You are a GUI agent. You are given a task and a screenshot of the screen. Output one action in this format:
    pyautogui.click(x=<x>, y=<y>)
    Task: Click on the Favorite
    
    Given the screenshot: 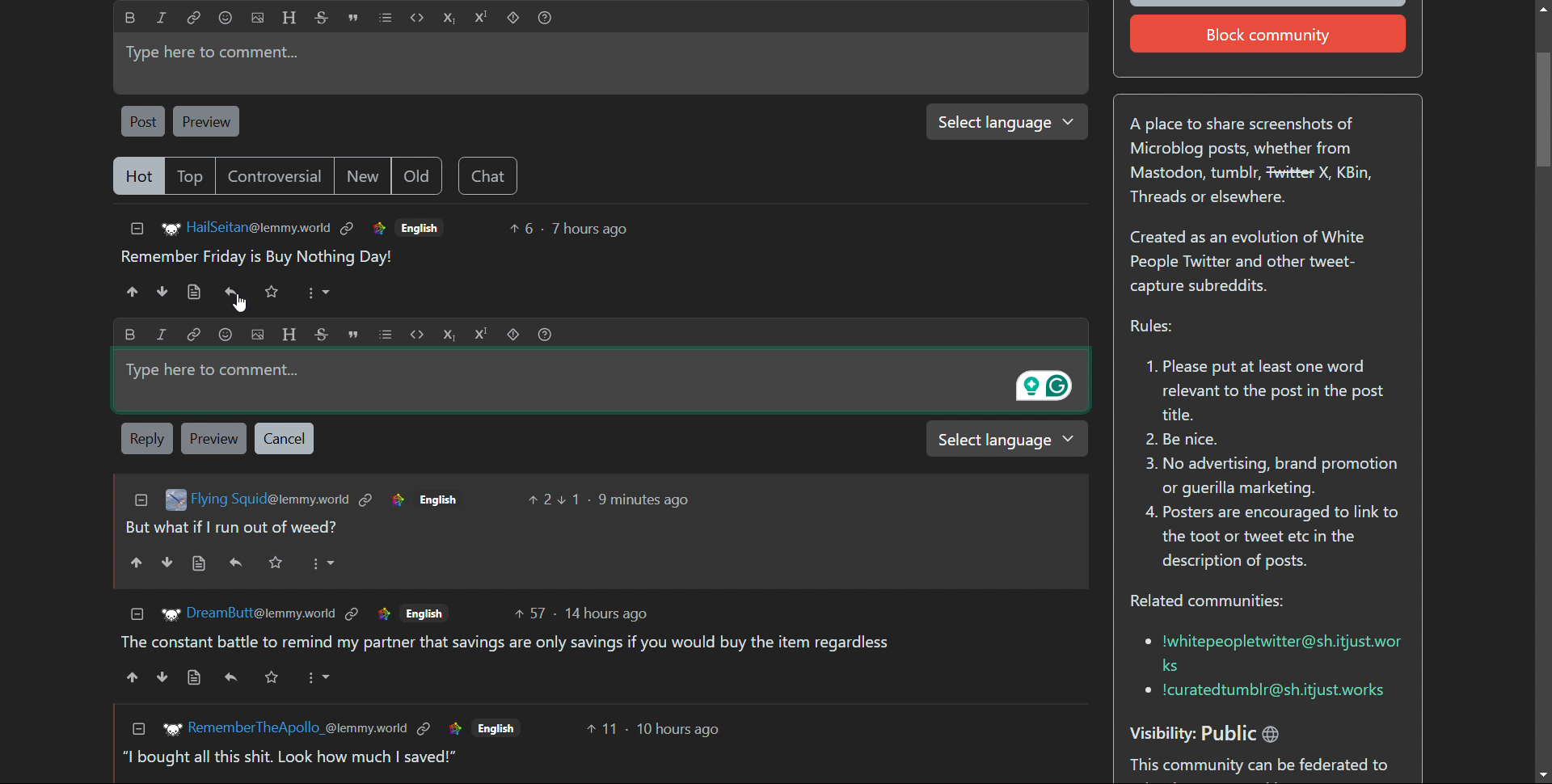 What is the action you would take?
    pyautogui.click(x=273, y=291)
    